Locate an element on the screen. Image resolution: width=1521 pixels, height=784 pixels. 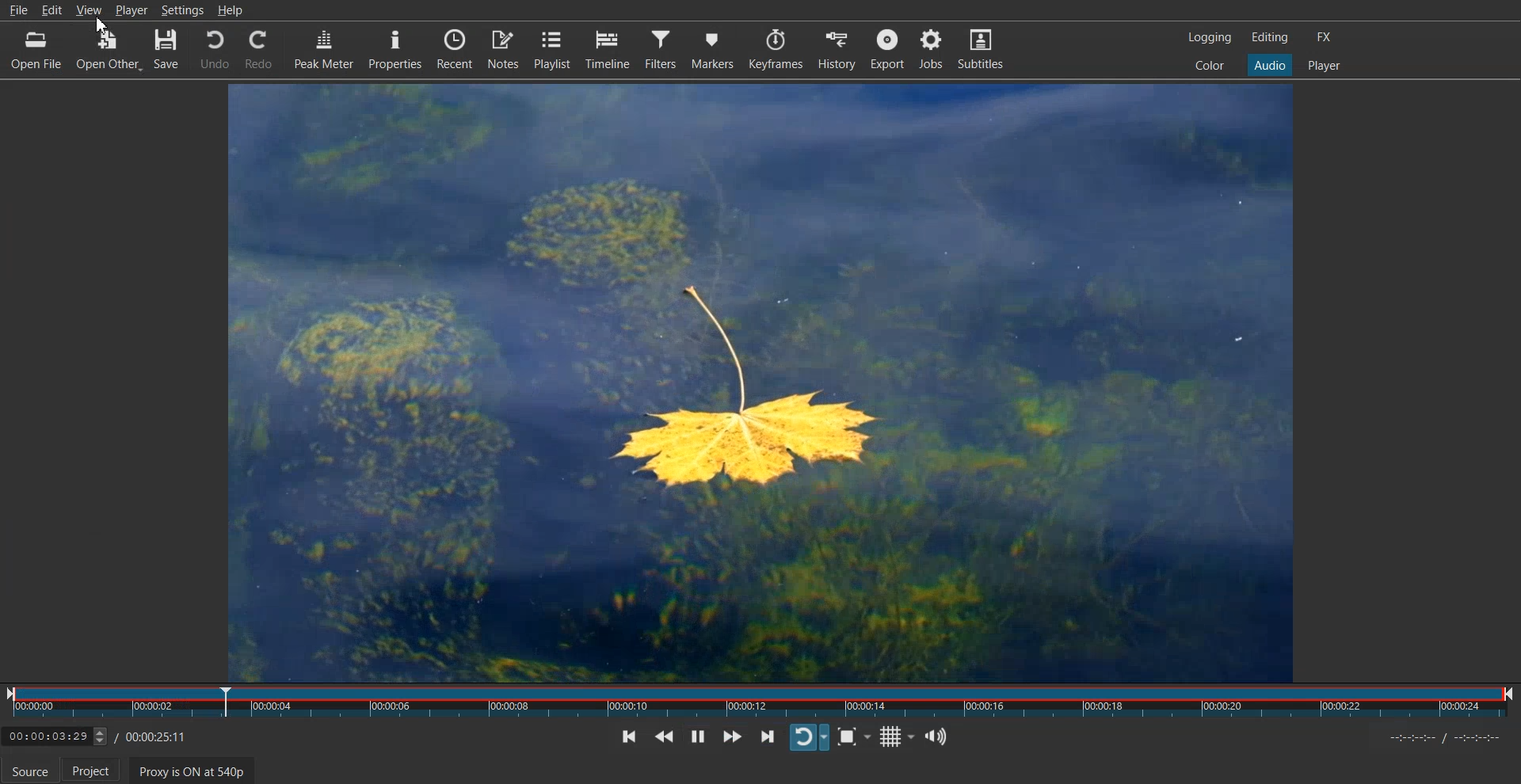
Editing is located at coordinates (1270, 36).